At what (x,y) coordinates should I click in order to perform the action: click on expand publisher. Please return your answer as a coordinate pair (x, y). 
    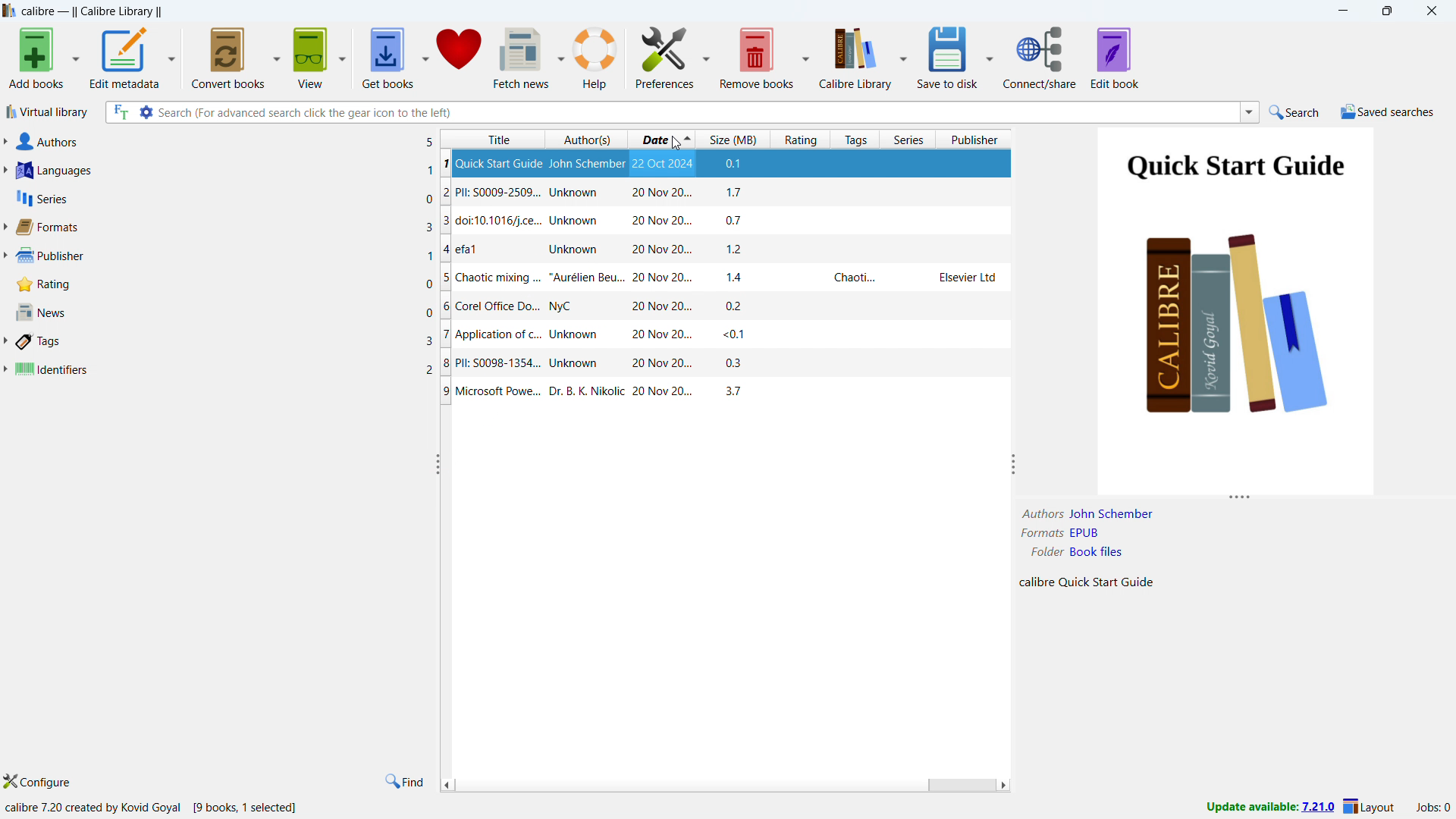
    Looking at the image, I should click on (5, 257).